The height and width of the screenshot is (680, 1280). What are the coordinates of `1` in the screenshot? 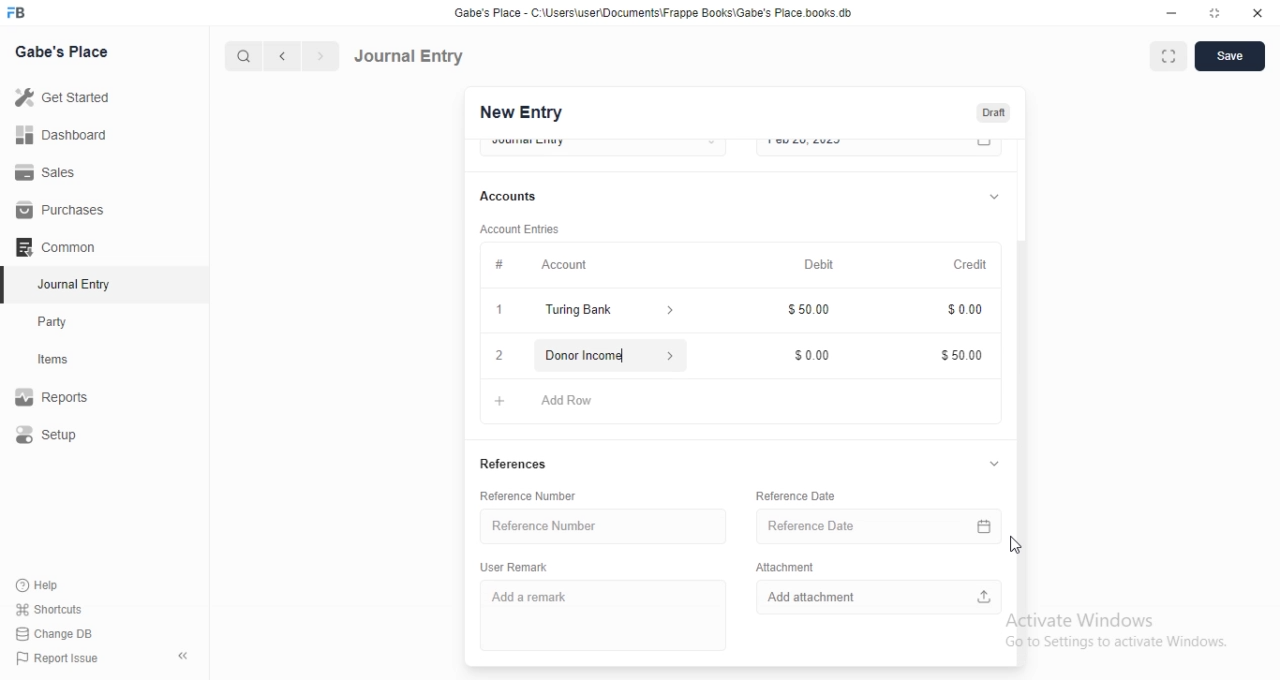 It's located at (502, 312).